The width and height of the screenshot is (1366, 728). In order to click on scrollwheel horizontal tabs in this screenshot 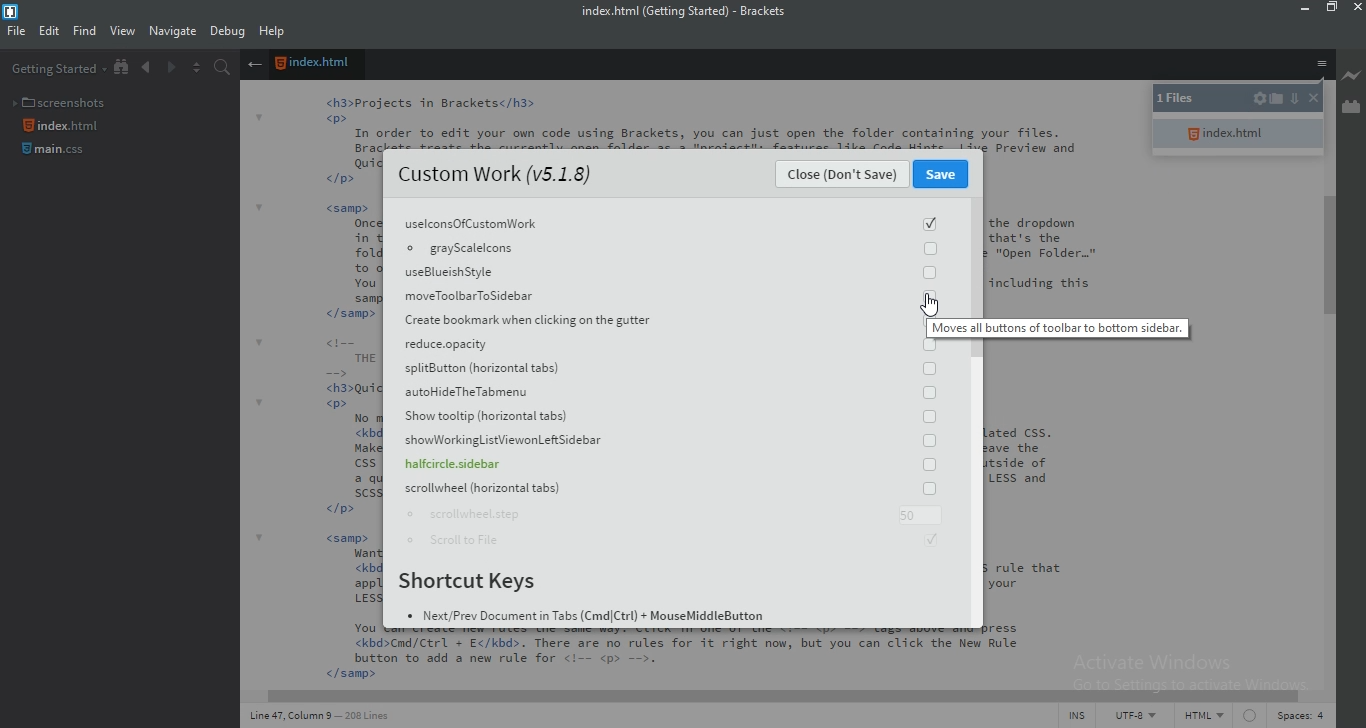, I will do `click(664, 490)`.